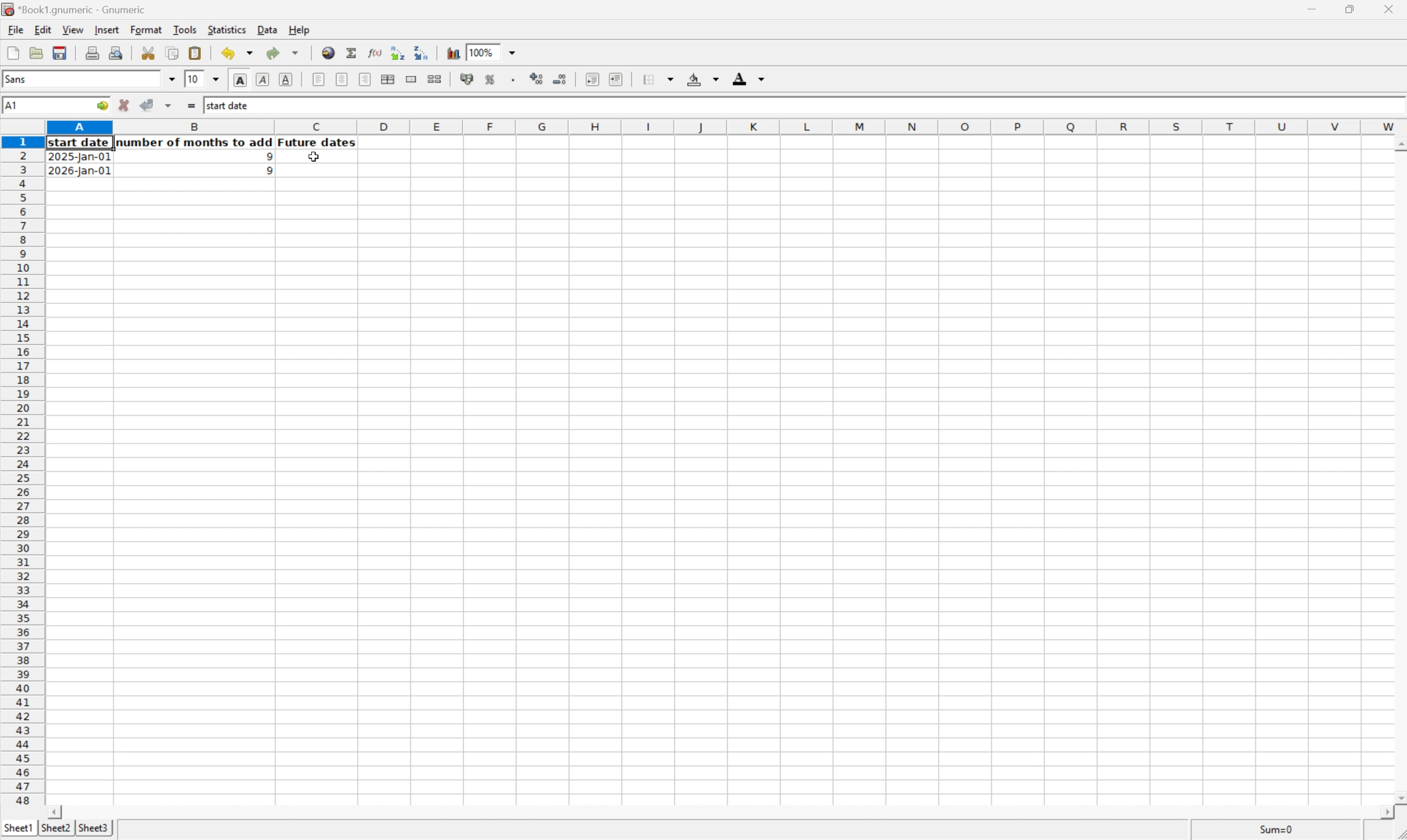 Image resolution: width=1407 pixels, height=840 pixels. What do you see at coordinates (397, 52) in the screenshot?
I see `Sort the selected region in ascending order based on the first column selected` at bounding box center [397, 52].